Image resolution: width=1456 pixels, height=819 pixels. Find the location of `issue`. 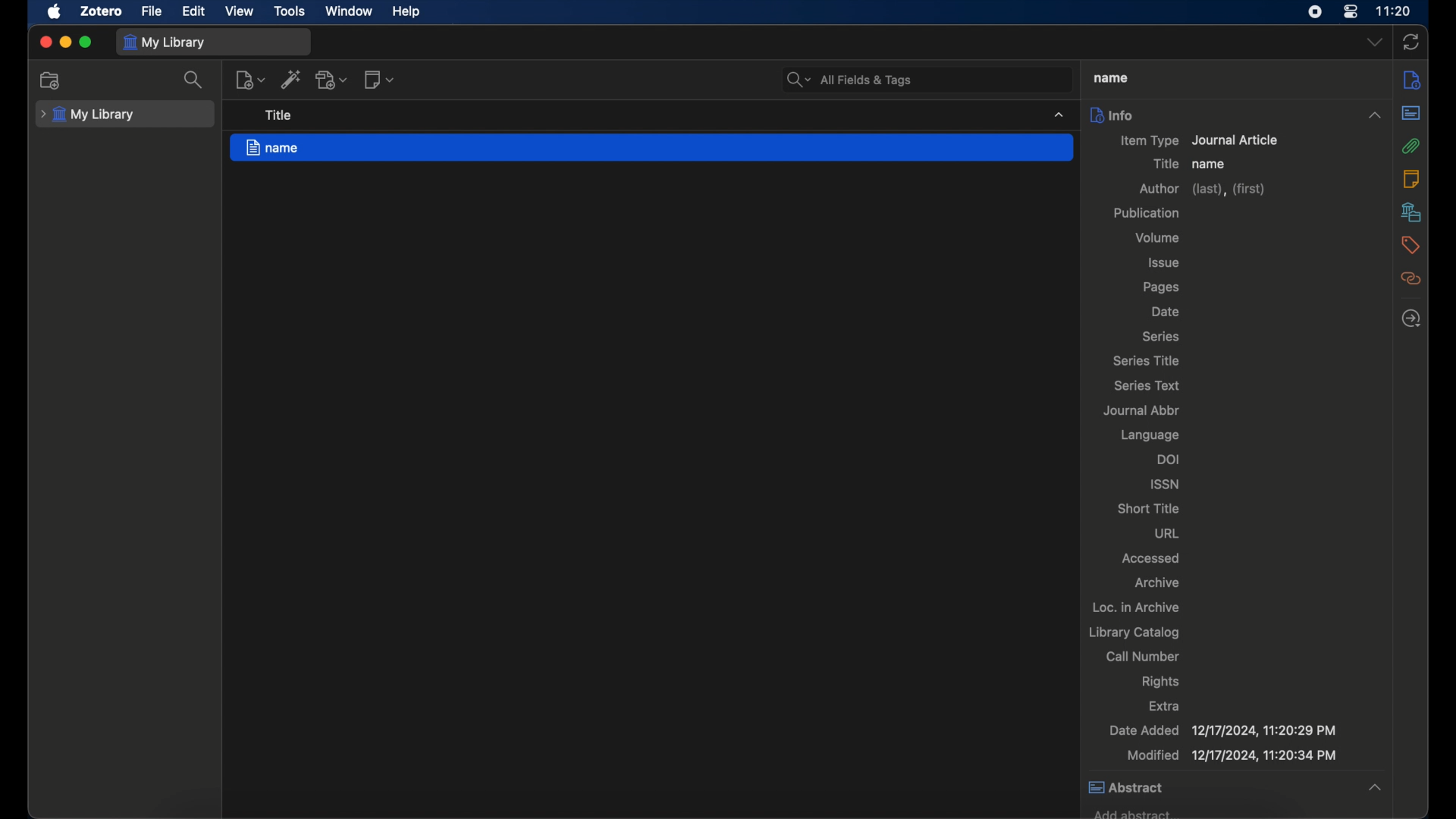

issue is located at coordinates (1165, 263).